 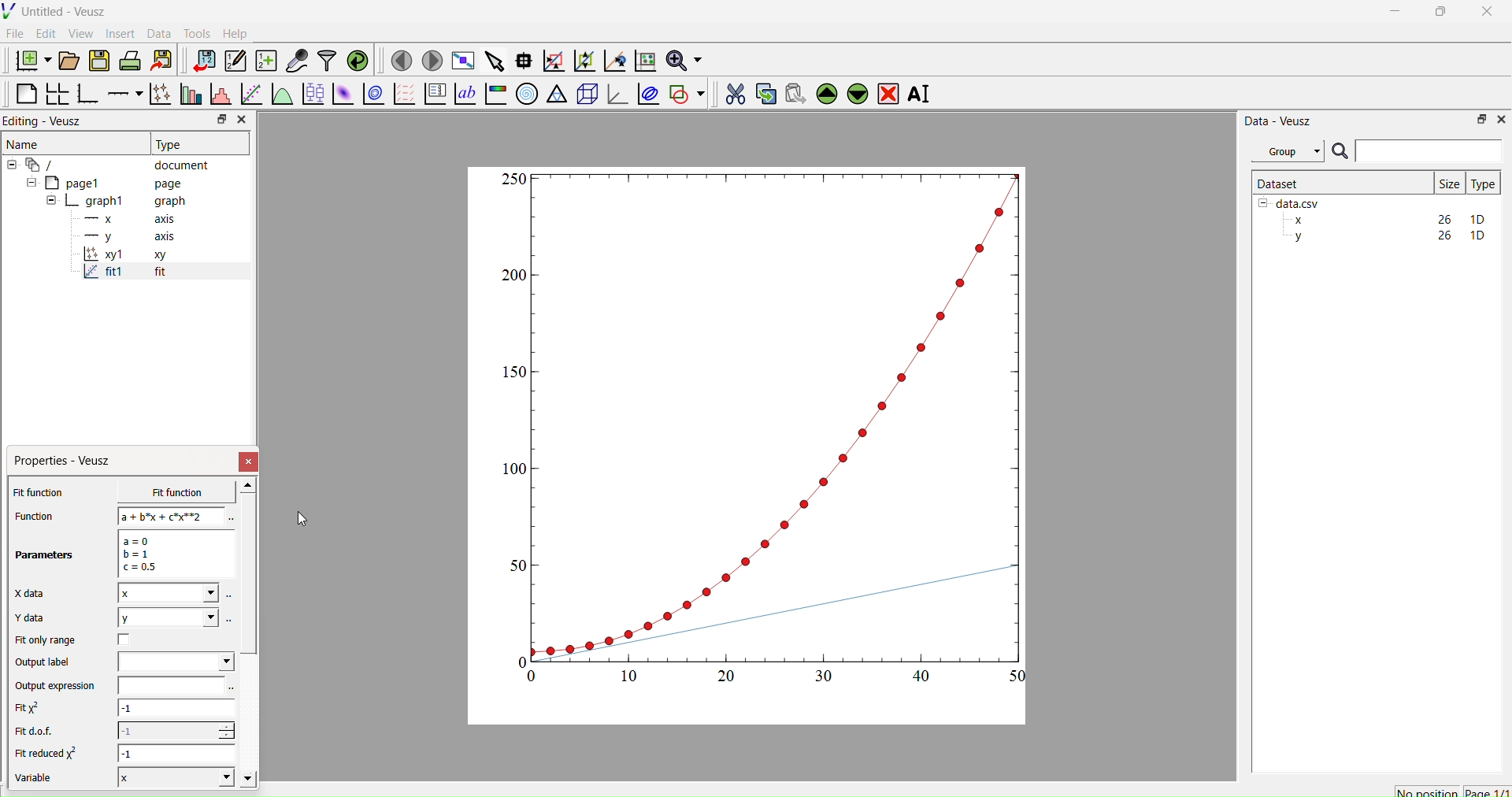 I want to click on Y data, so click(x=39, y=618).